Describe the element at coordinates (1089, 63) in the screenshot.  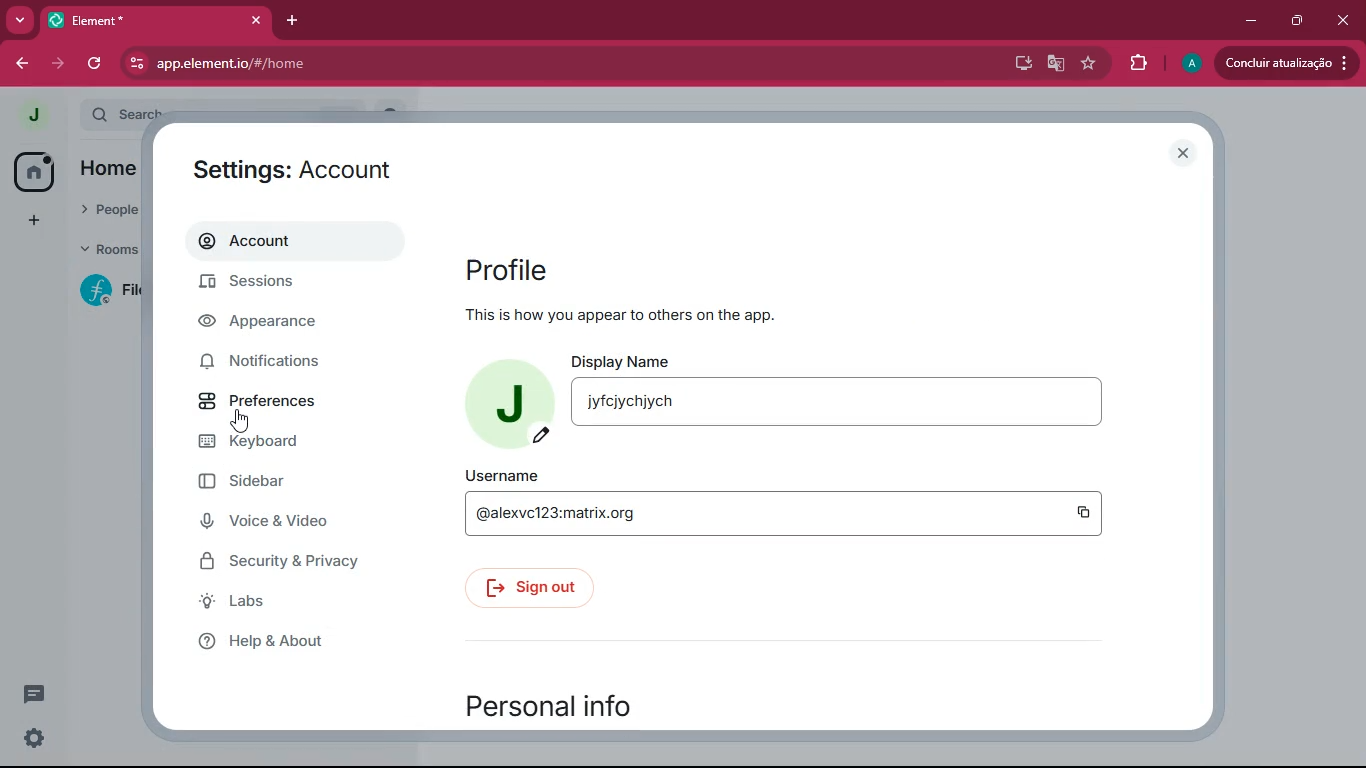
I see `favourite` at that location.